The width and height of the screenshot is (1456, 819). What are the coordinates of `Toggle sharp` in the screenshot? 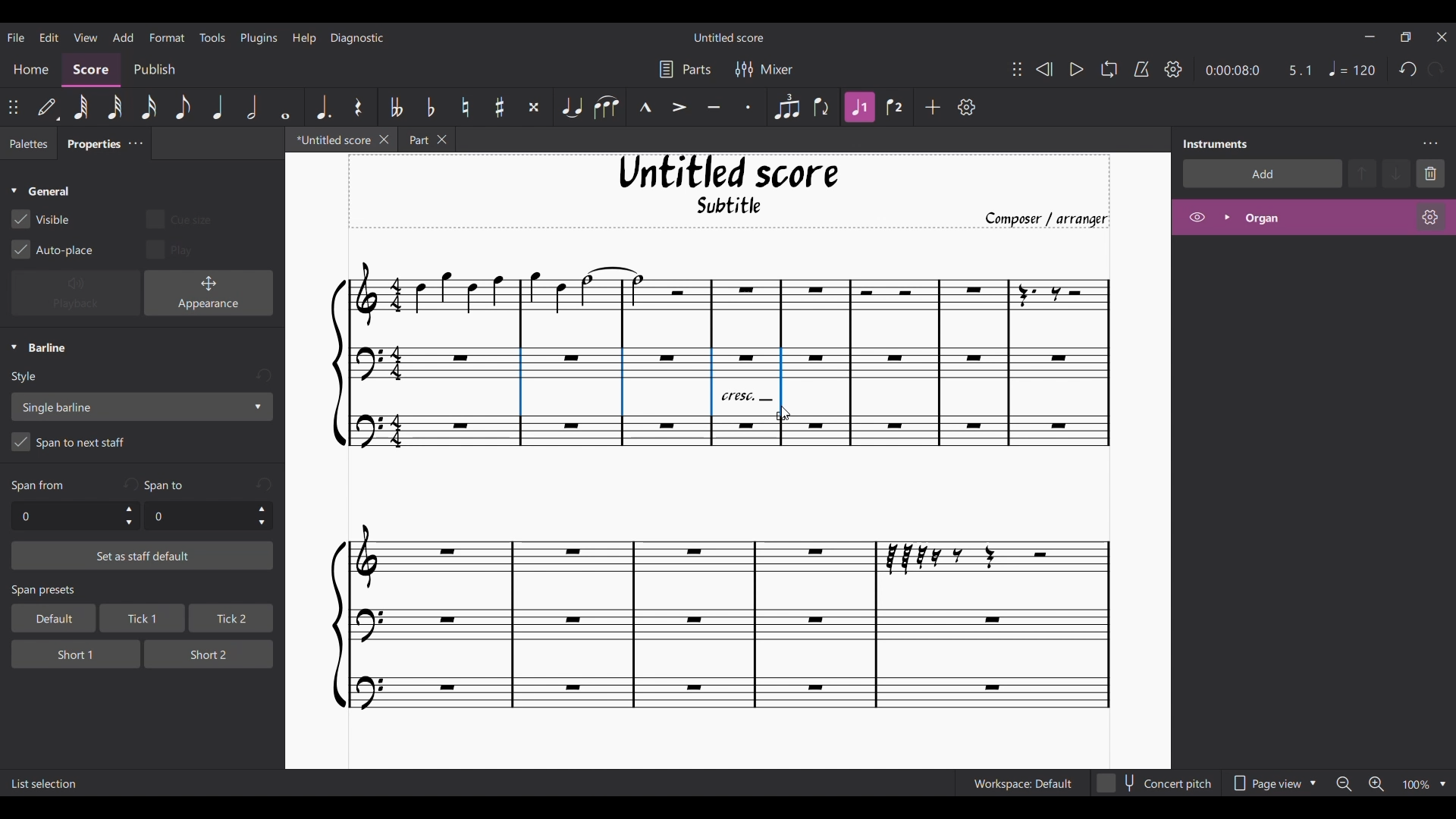 It's located at (500, 108).